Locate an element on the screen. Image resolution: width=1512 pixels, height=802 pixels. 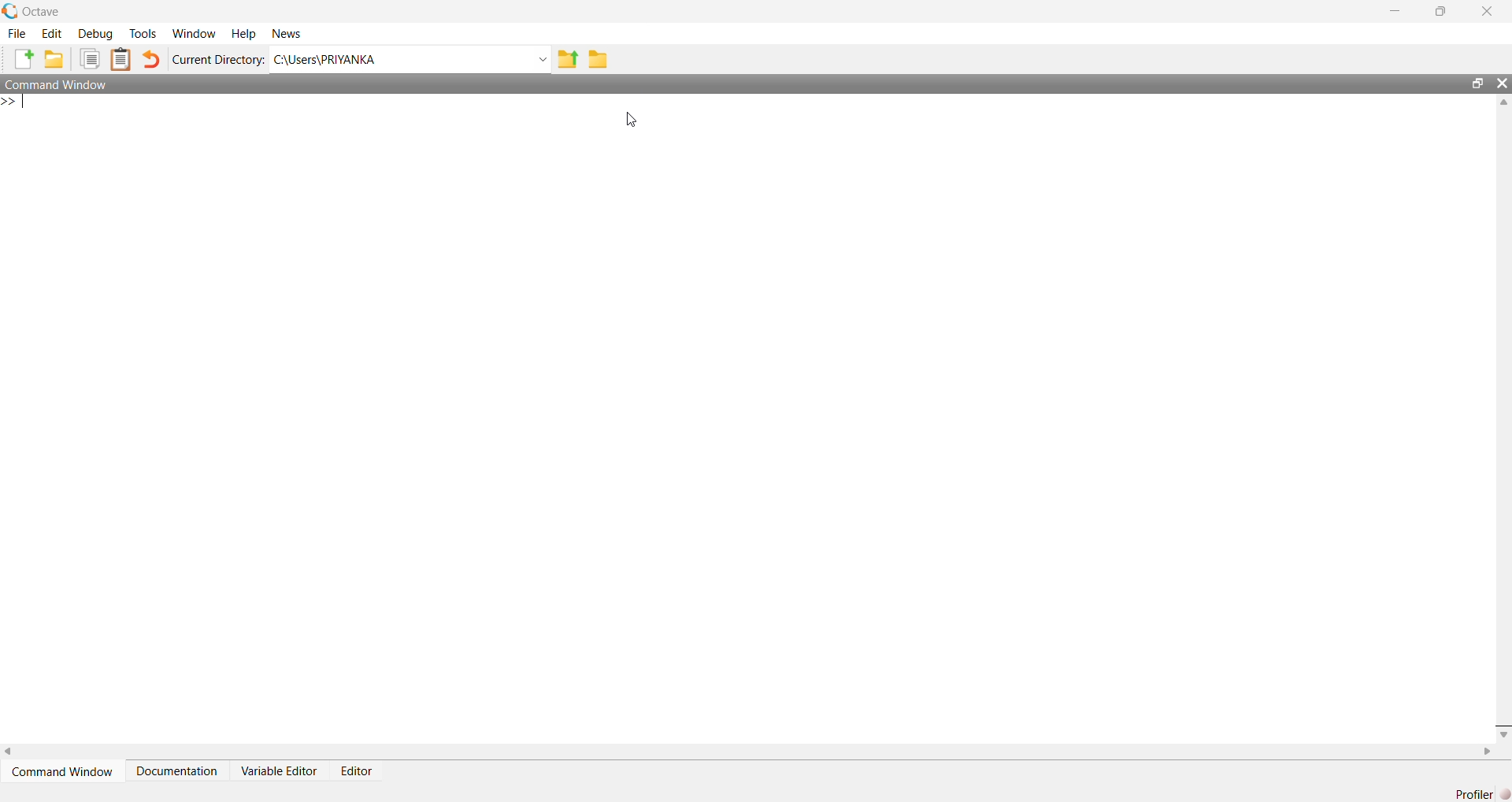
Upload Folder is located at coordinates (569, 60).